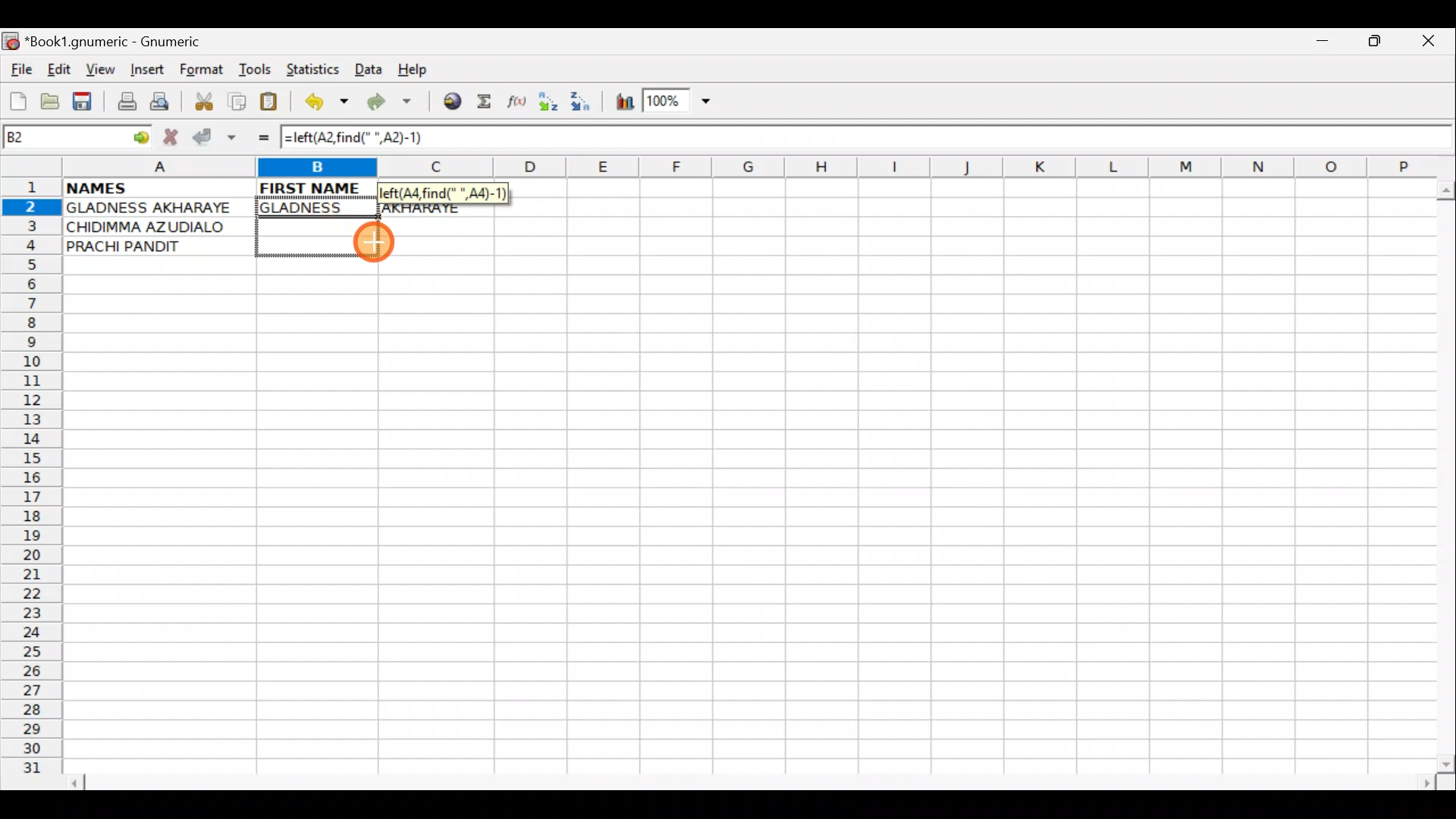  I want to click on Sort Ascending order, so click(553, 105).